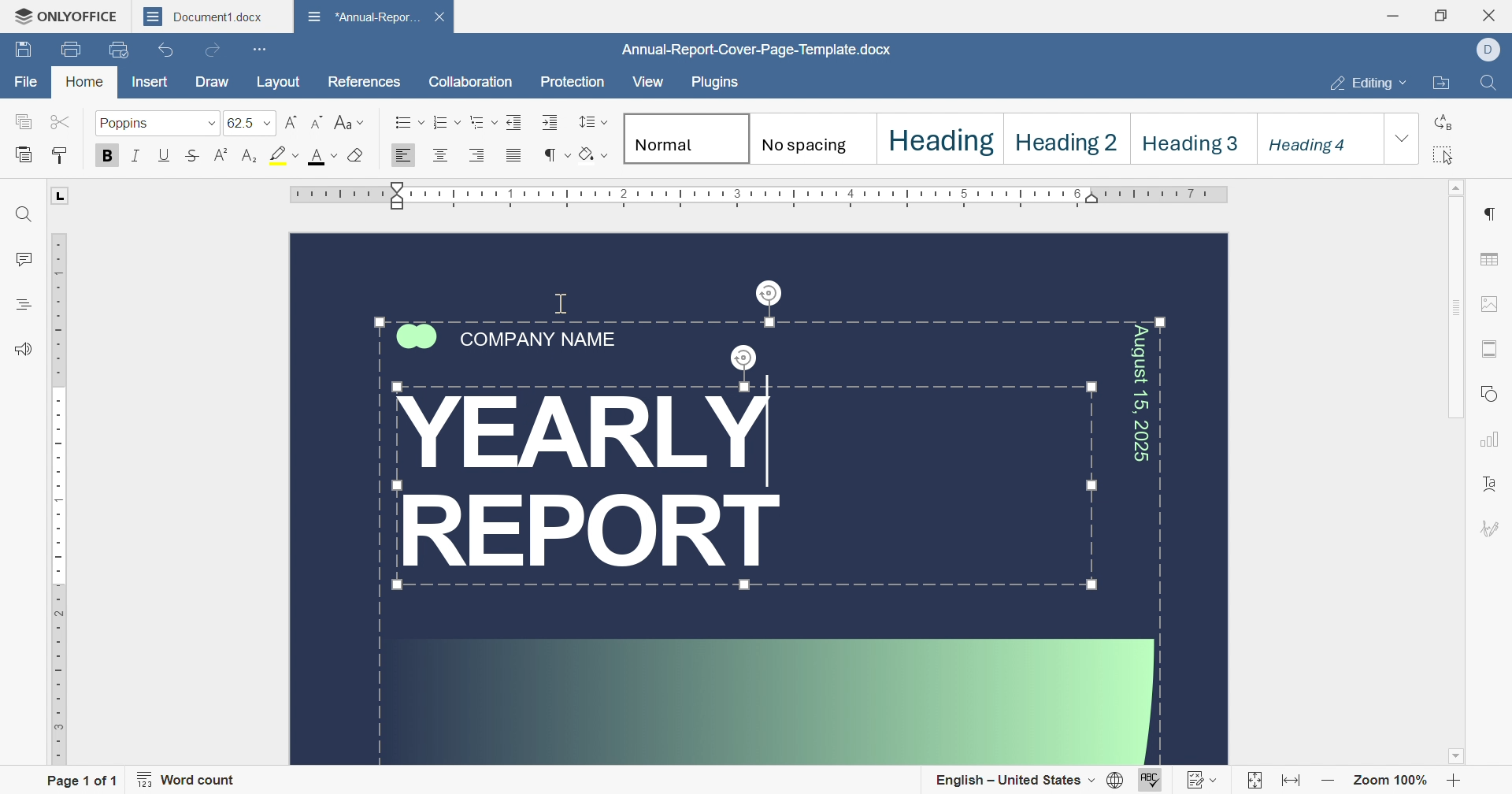  I want to click on paste, so click(26, 155).